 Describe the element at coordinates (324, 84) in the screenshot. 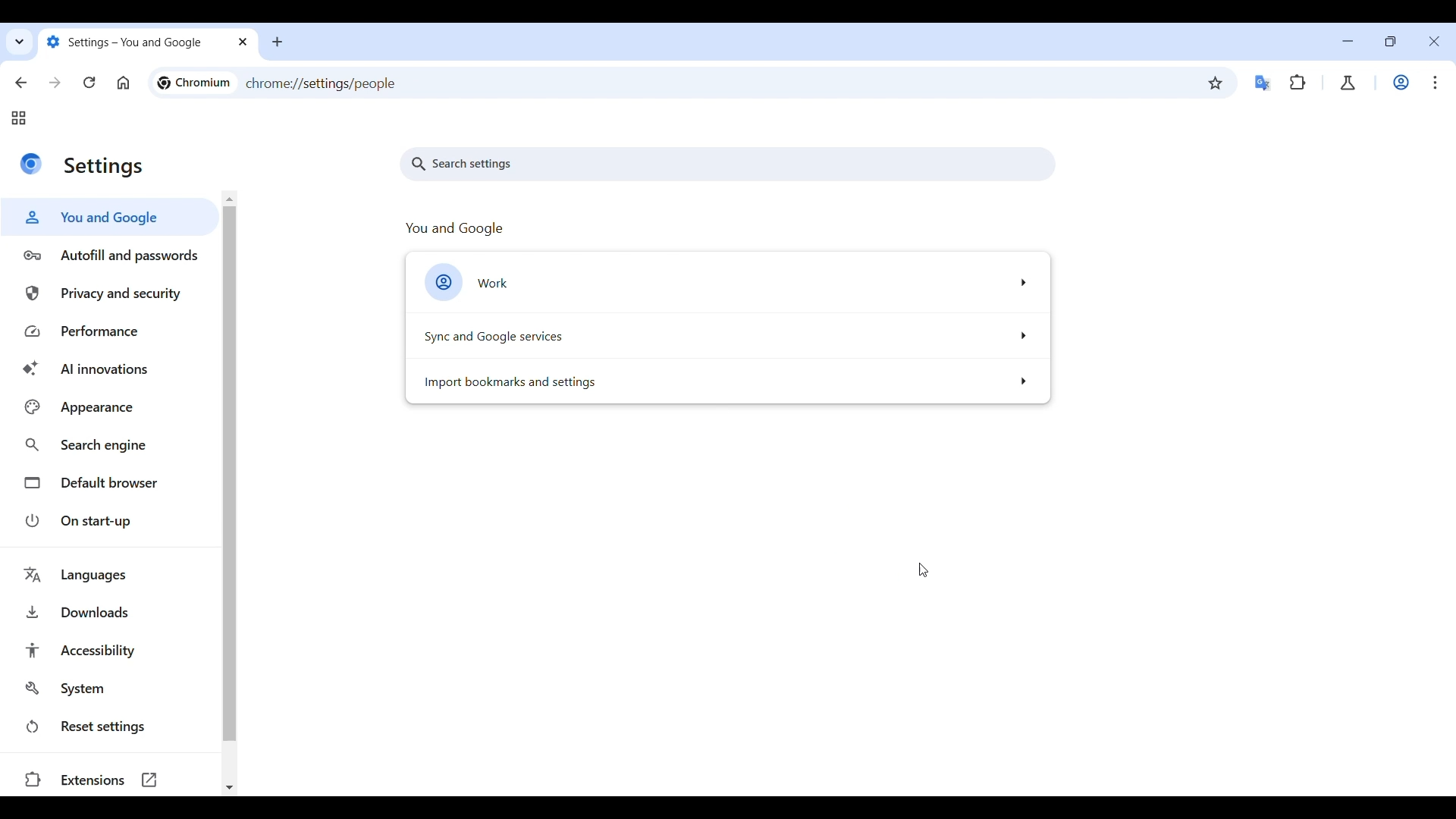

I see `chrome://settings/people` at that location.